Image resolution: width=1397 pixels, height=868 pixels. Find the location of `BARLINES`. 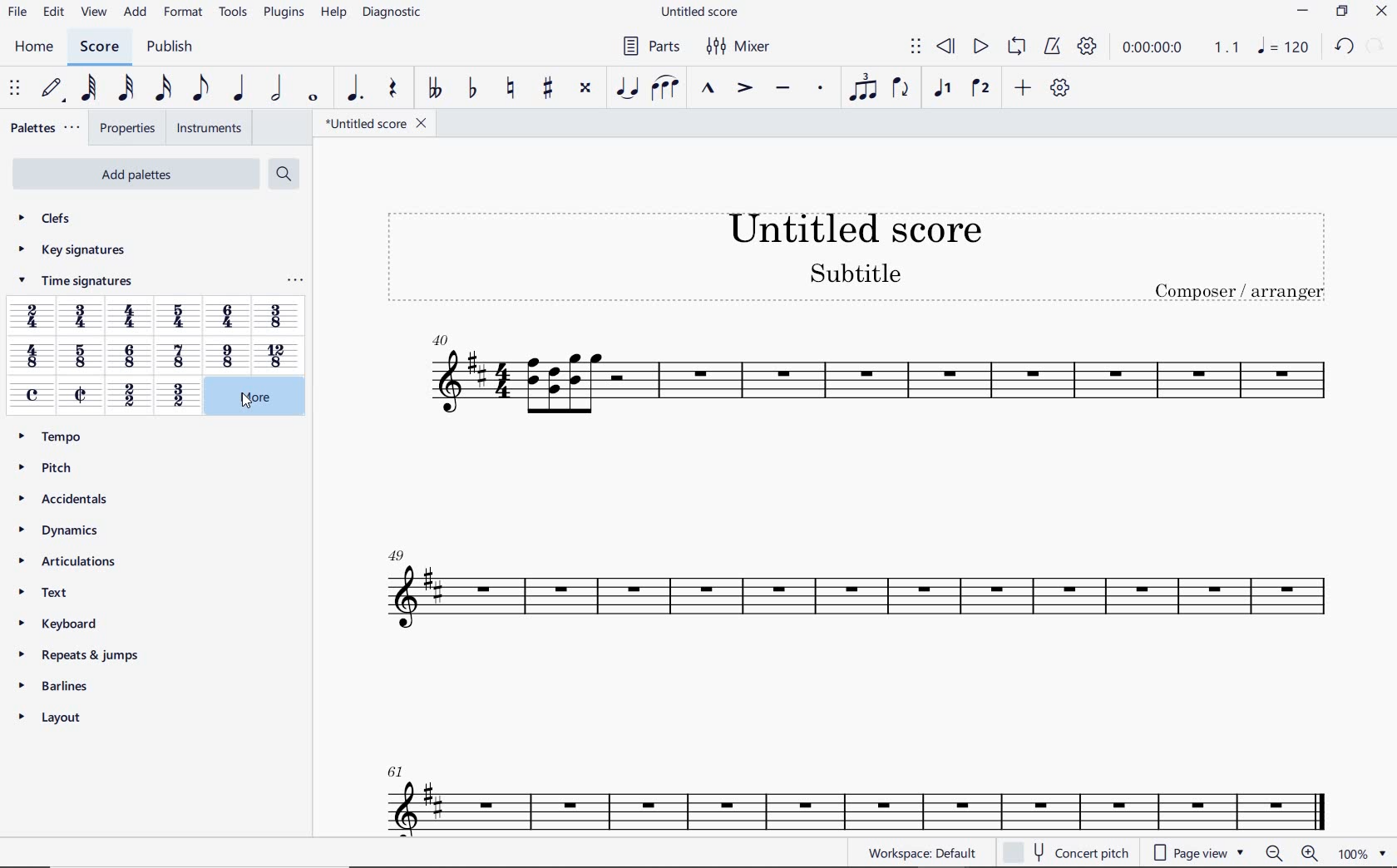

BARLINES is located at coordinates (57, 685).